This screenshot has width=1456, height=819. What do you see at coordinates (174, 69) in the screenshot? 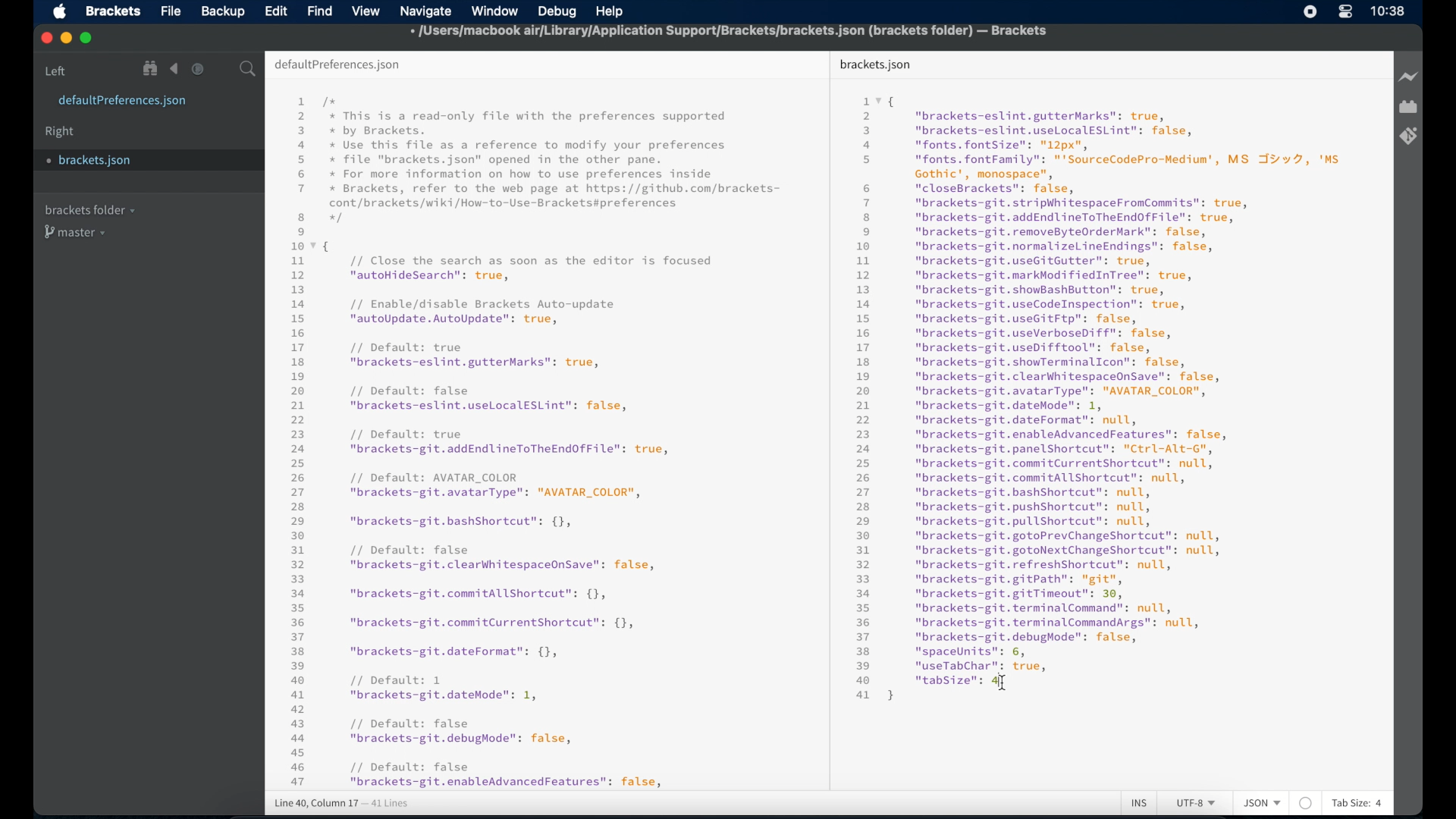
I see `navigate backward` at bounding box center [174, 69].